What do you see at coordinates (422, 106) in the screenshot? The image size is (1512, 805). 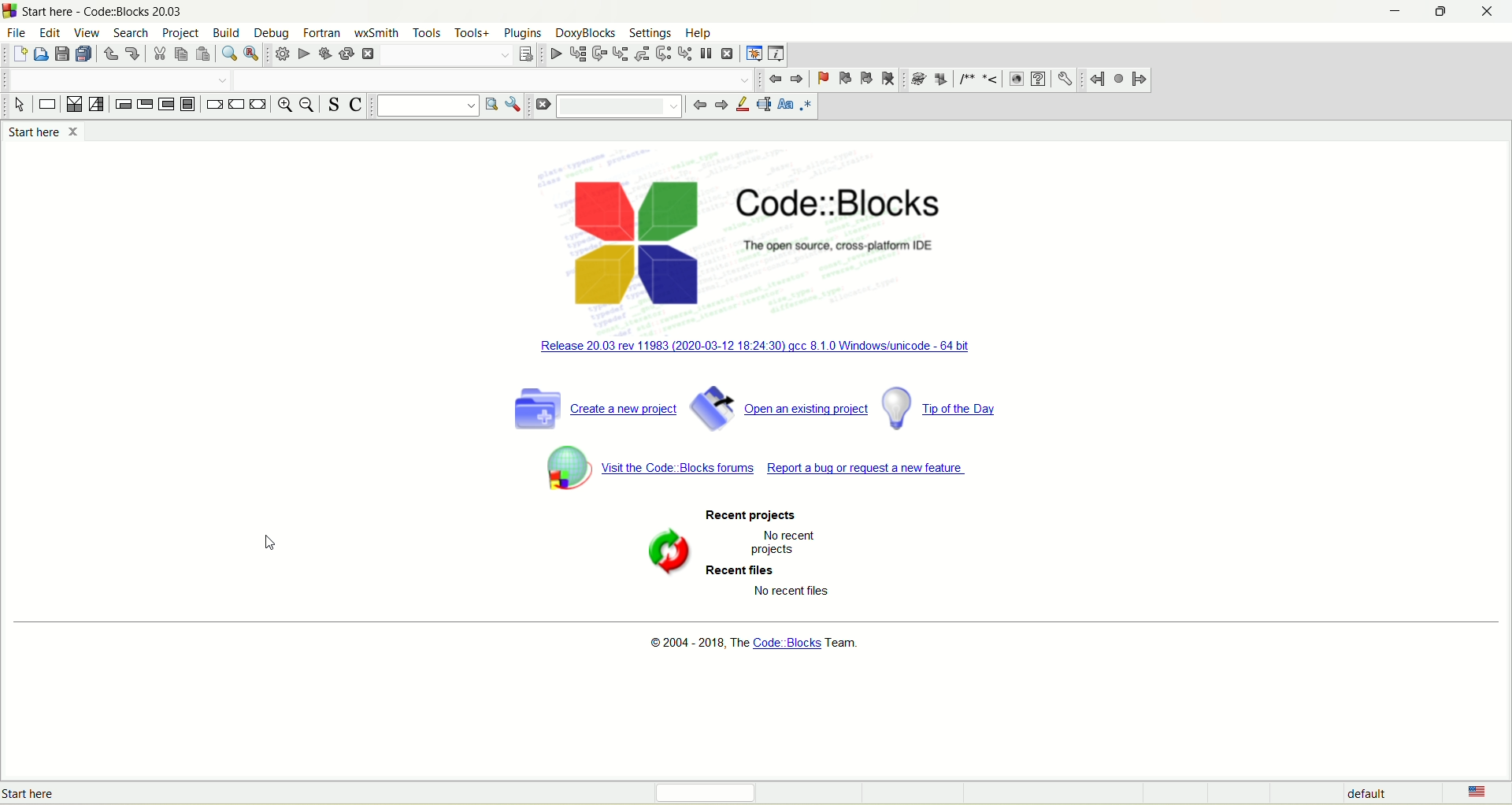 I see `text search` at bounding box center [422, 106].